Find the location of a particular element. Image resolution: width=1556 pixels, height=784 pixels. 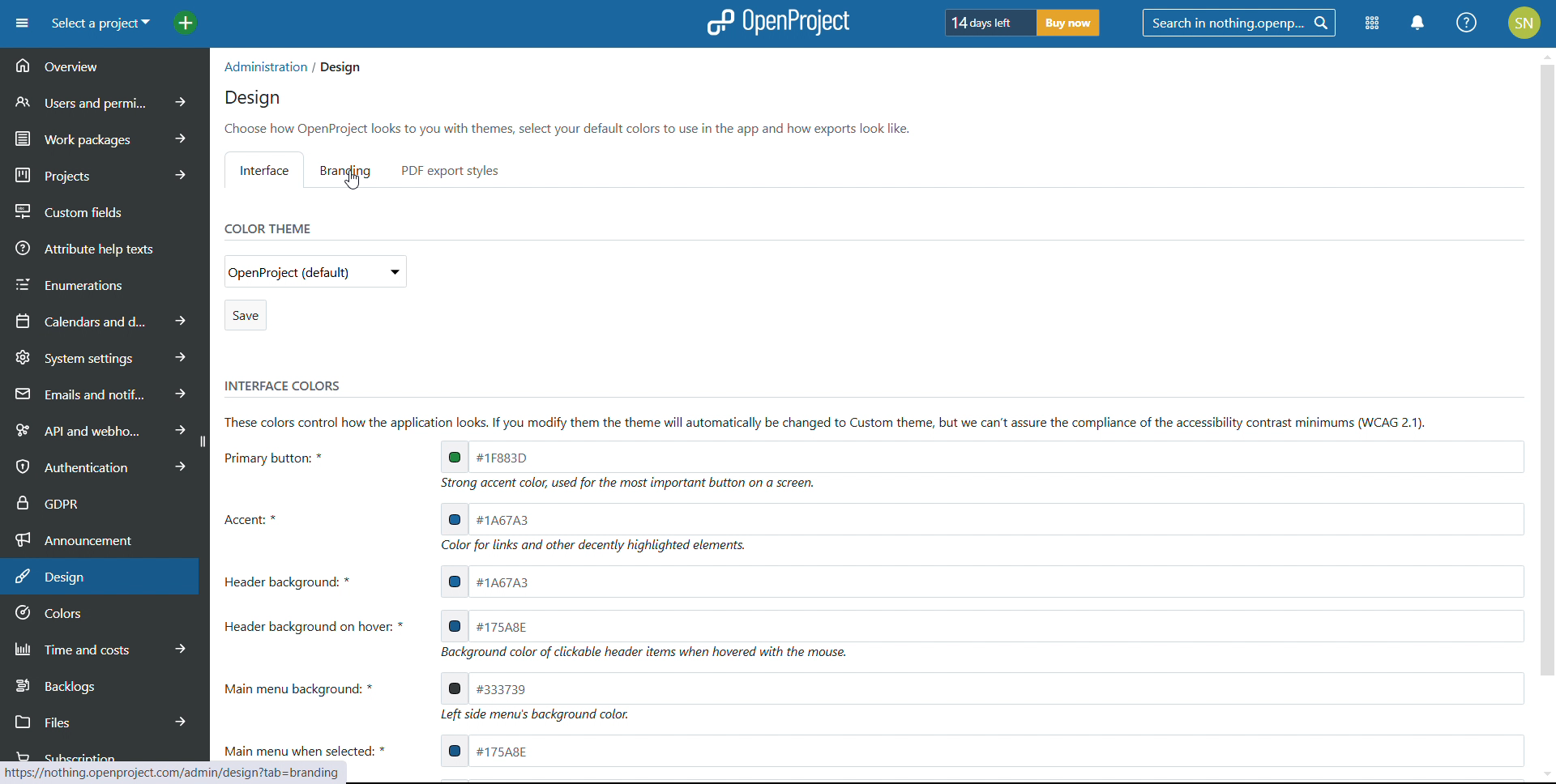

i Header background on hover: * is located at coordinates (320, 624).